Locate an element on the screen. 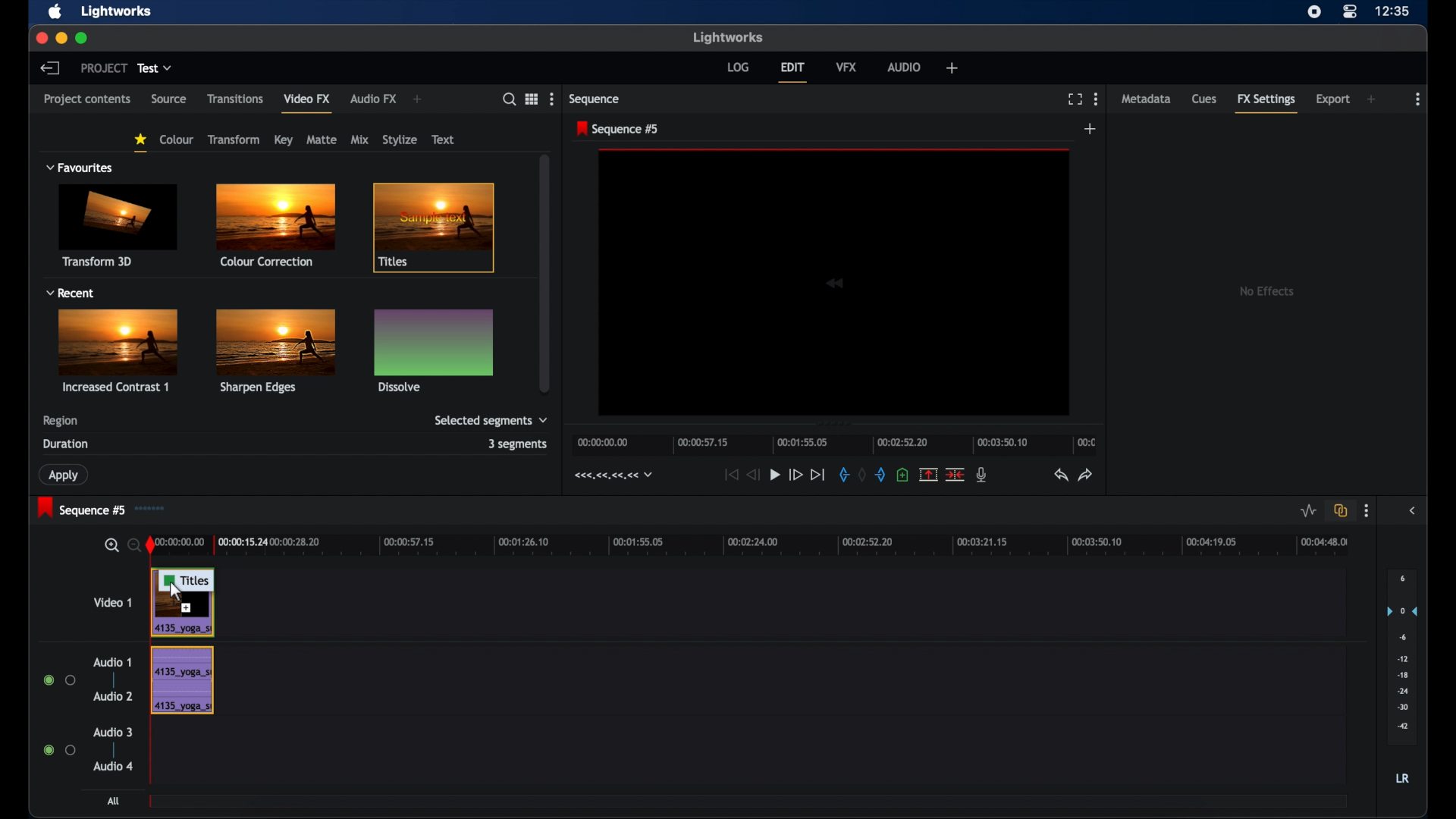 The image size is (1456, 819). timeline scale is located at coordinates (834, 444).